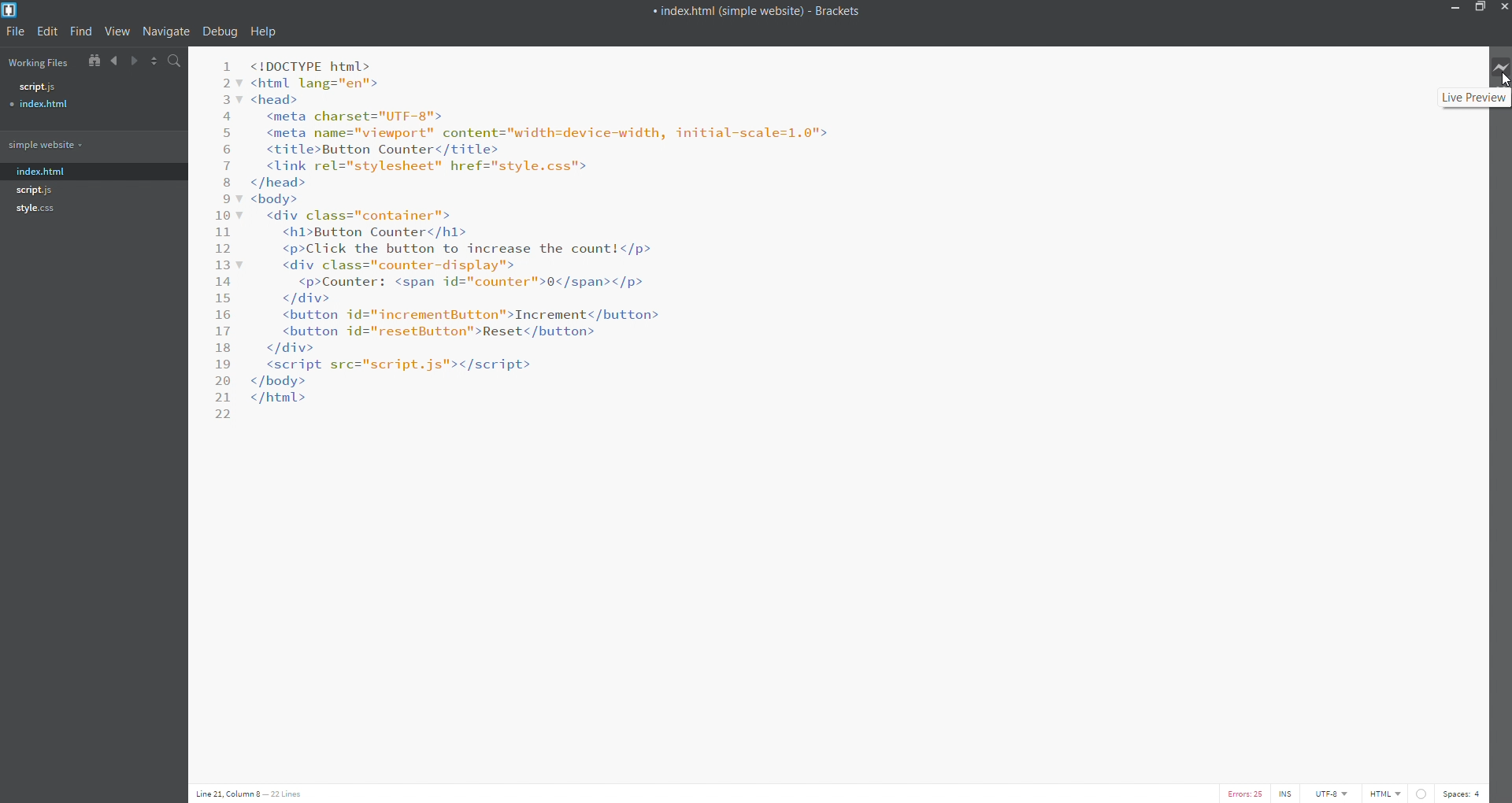  What do you see at coordinates (135, 61) in the screenshot?
I see `navigate forward` at bounding box center [135, 61].